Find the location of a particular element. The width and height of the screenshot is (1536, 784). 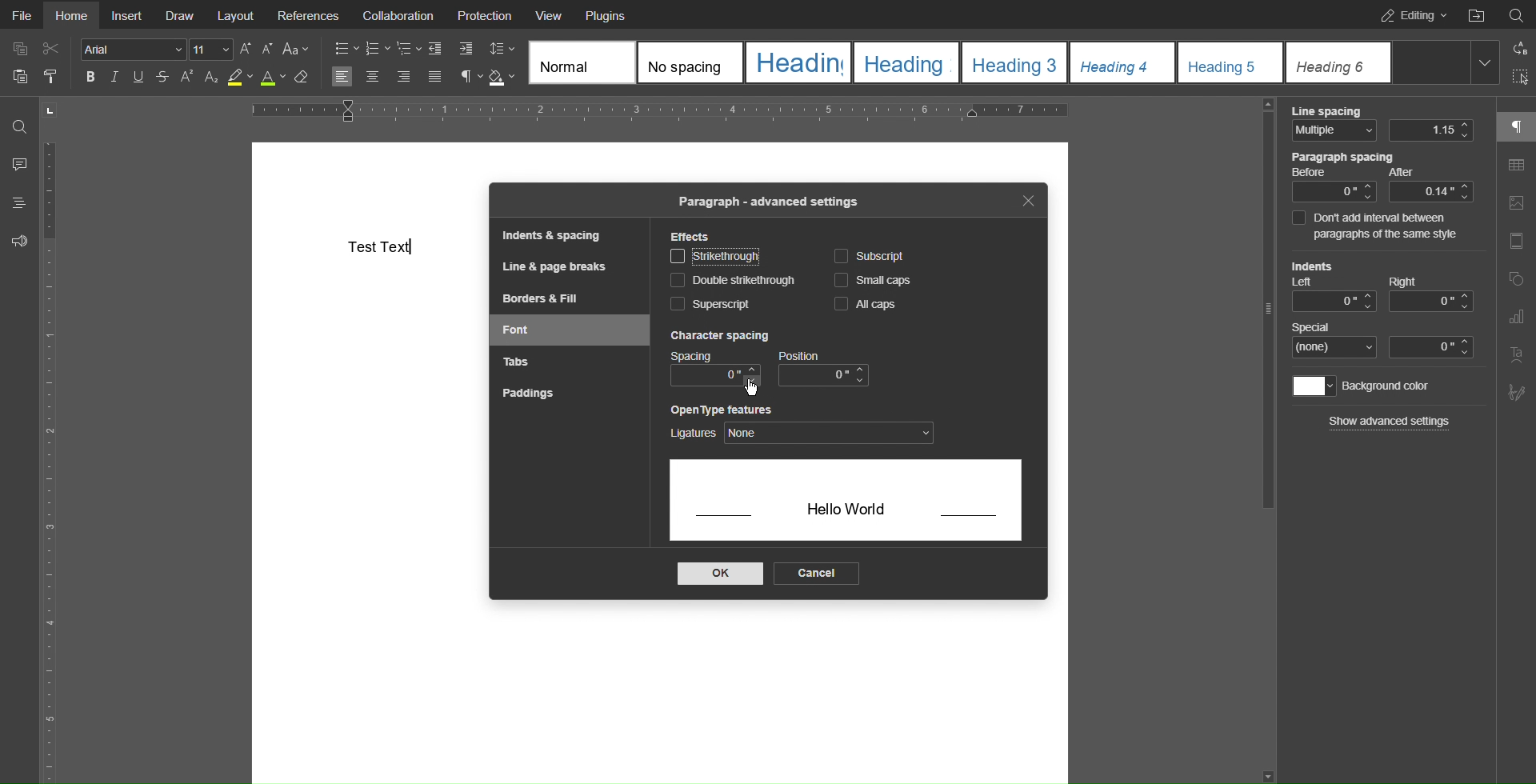

Test Text is located at coordinates (380, 246).